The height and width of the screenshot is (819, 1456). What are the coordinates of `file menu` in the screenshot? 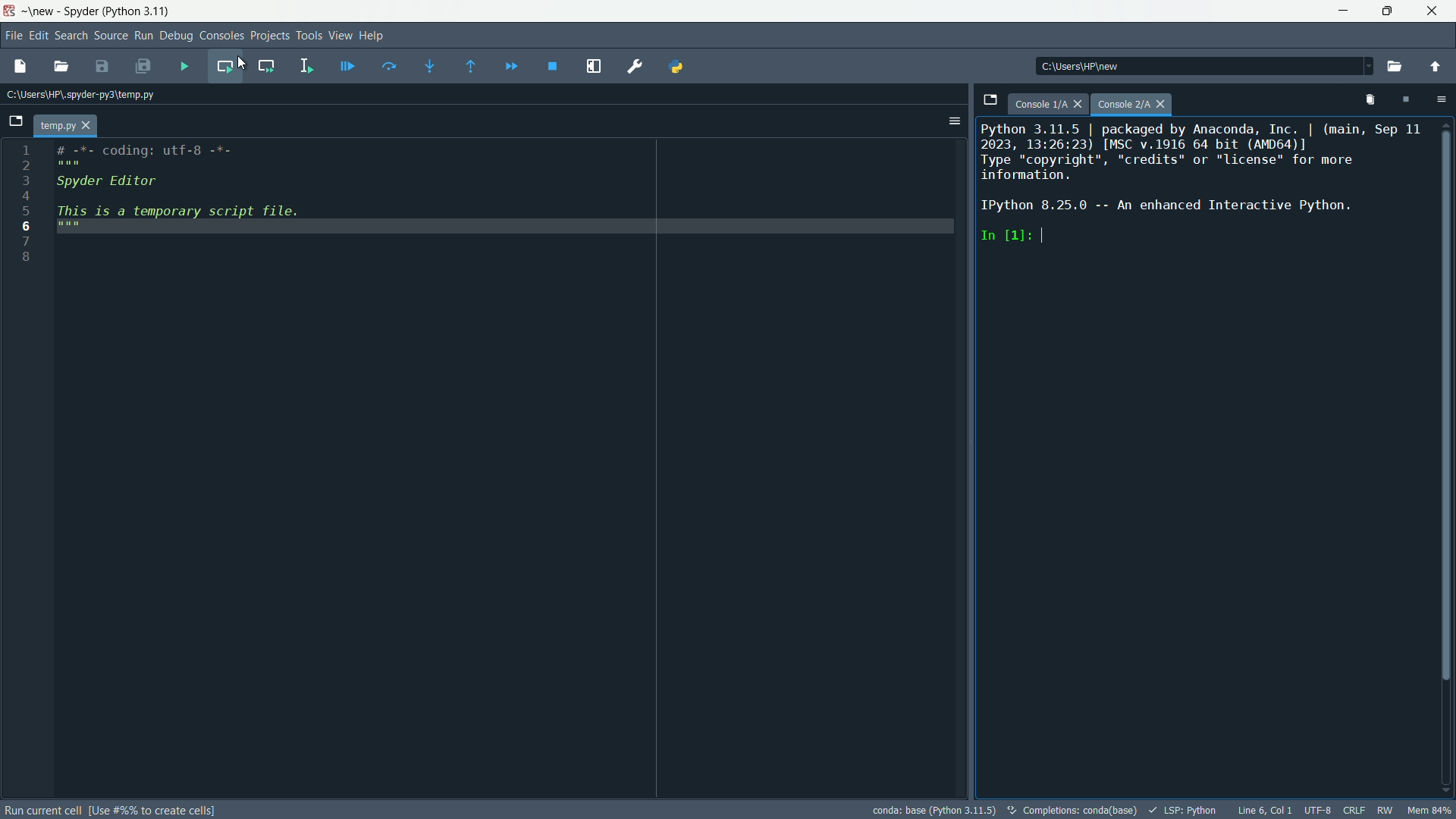 It's located at (13, 35).